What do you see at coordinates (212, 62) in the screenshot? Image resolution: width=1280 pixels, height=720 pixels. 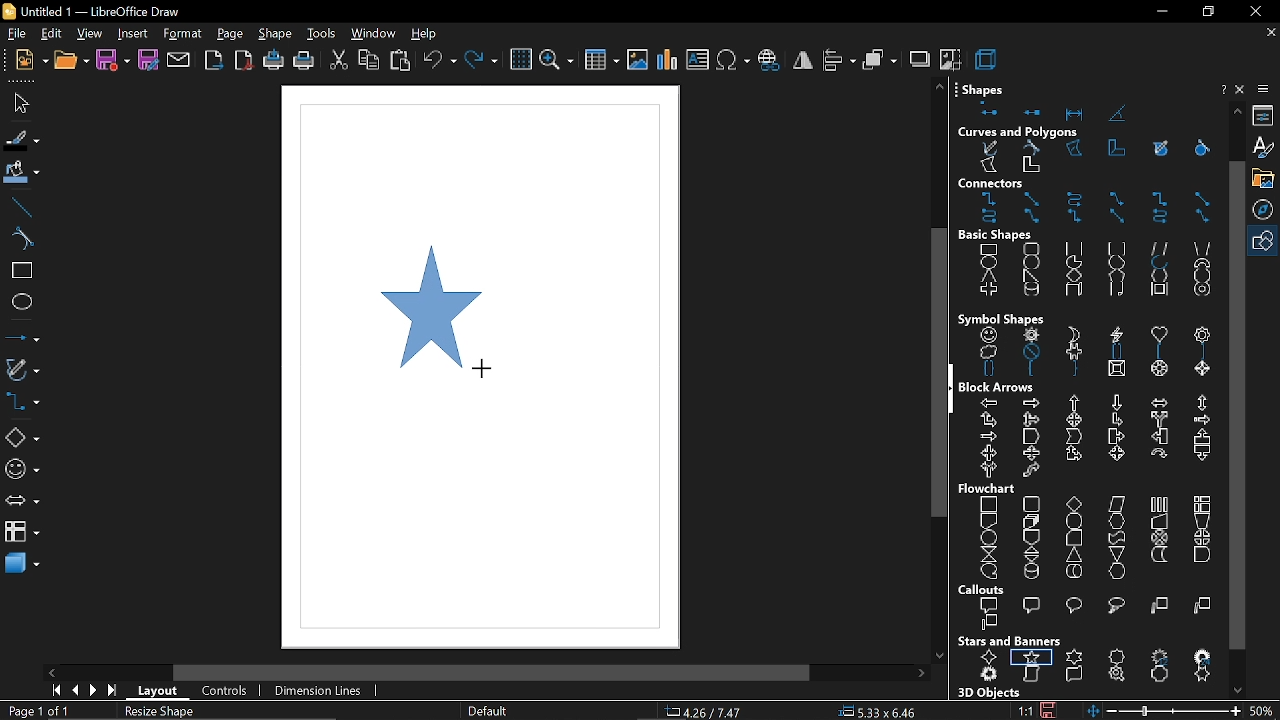 I see `export` at bounding box center [212, 62].